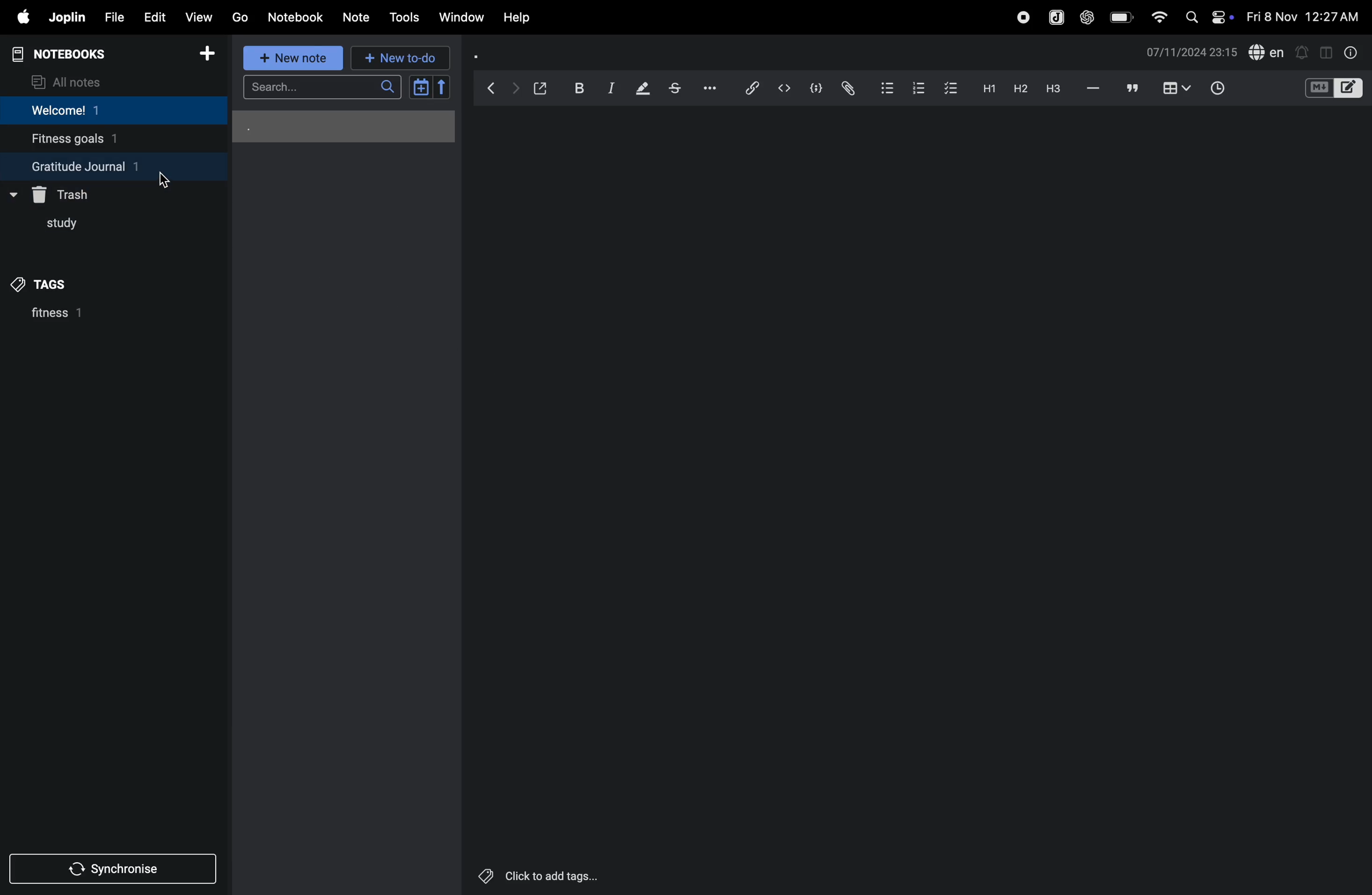 Image resolution: width=1372 pixels, height=895 pixels. What do you see at coordinates (610, 89) in the screenshot?
I see `italic` at bounding box center [610, 89].